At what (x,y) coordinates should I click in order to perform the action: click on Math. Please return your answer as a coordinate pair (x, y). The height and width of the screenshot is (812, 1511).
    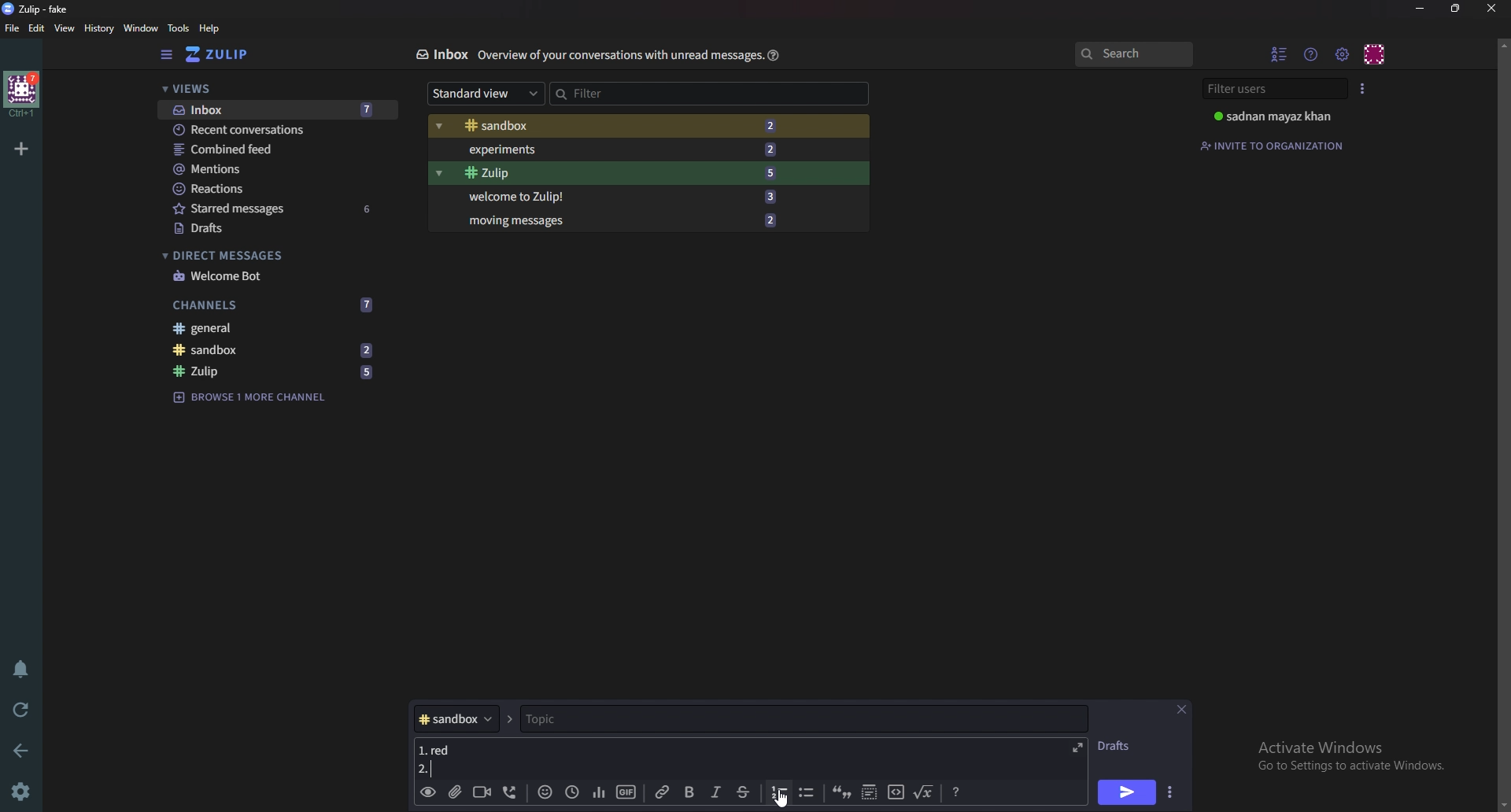
    Looking at the image, I should click on (925, 792).